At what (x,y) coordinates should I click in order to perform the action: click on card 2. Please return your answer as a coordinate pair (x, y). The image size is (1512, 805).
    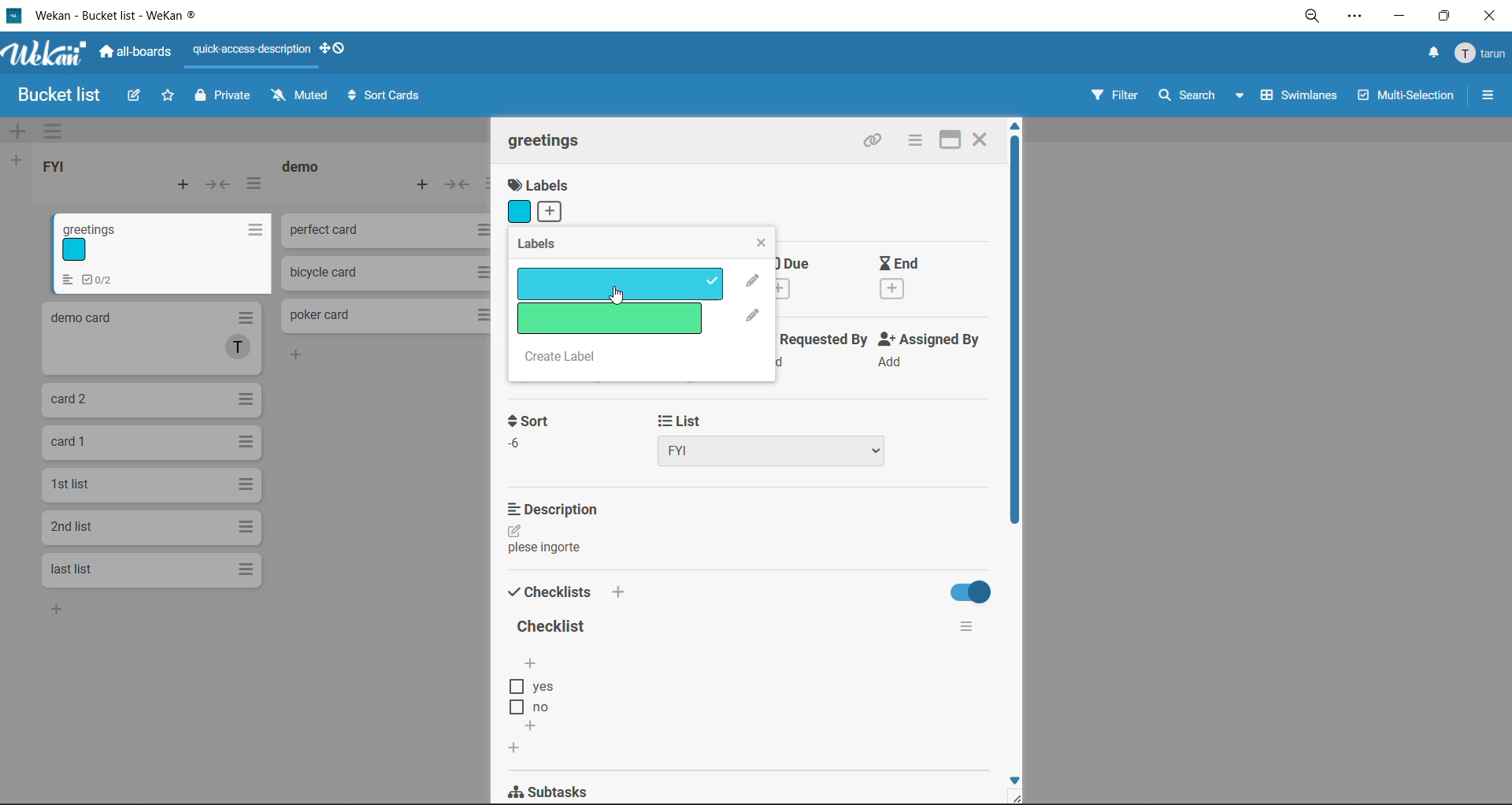
    Looking at the image, I should click on (150, 340).